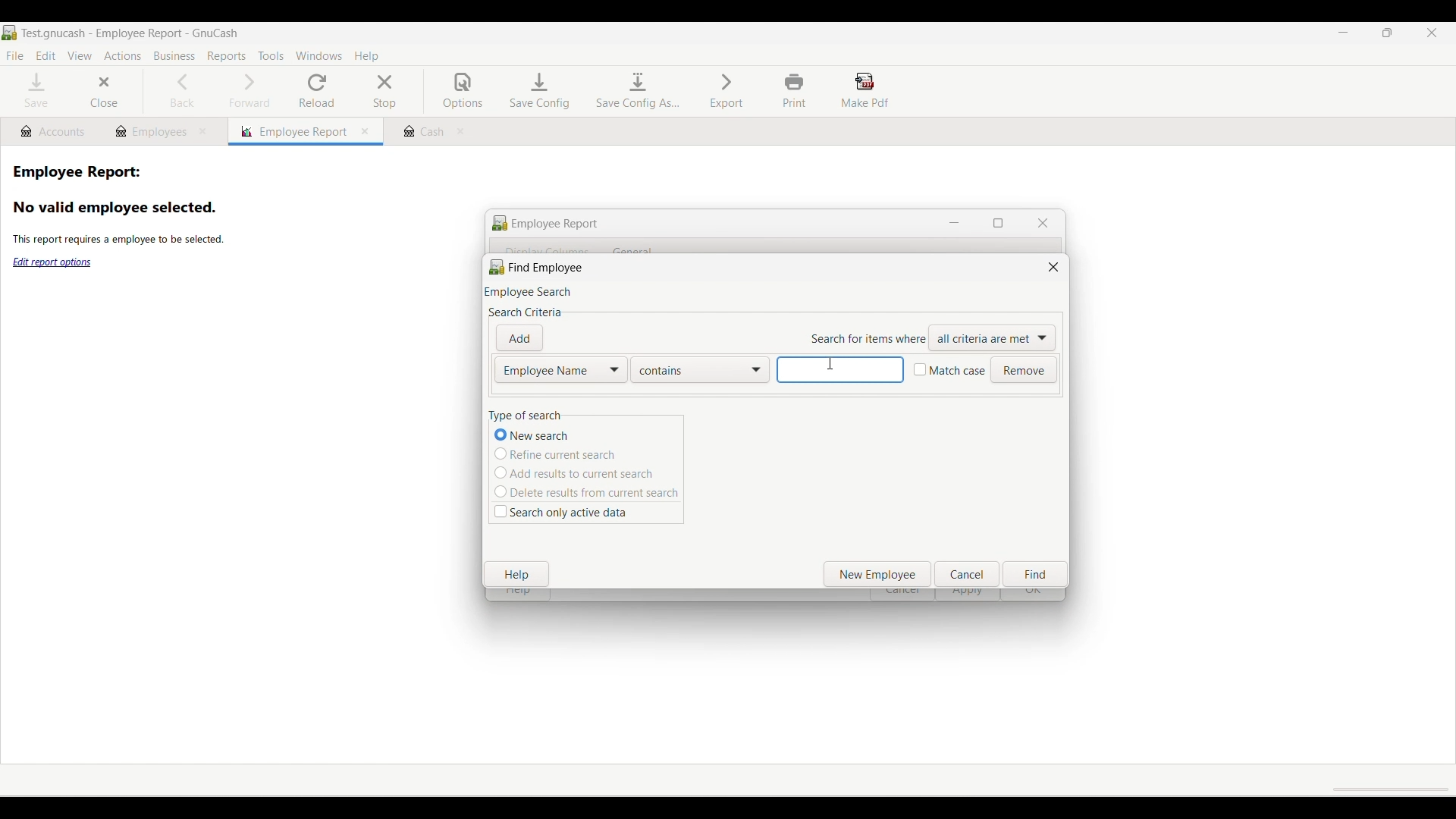 The height and width of the screenshot is (819, 1456). I want to click on Match case, so click(949, 370).